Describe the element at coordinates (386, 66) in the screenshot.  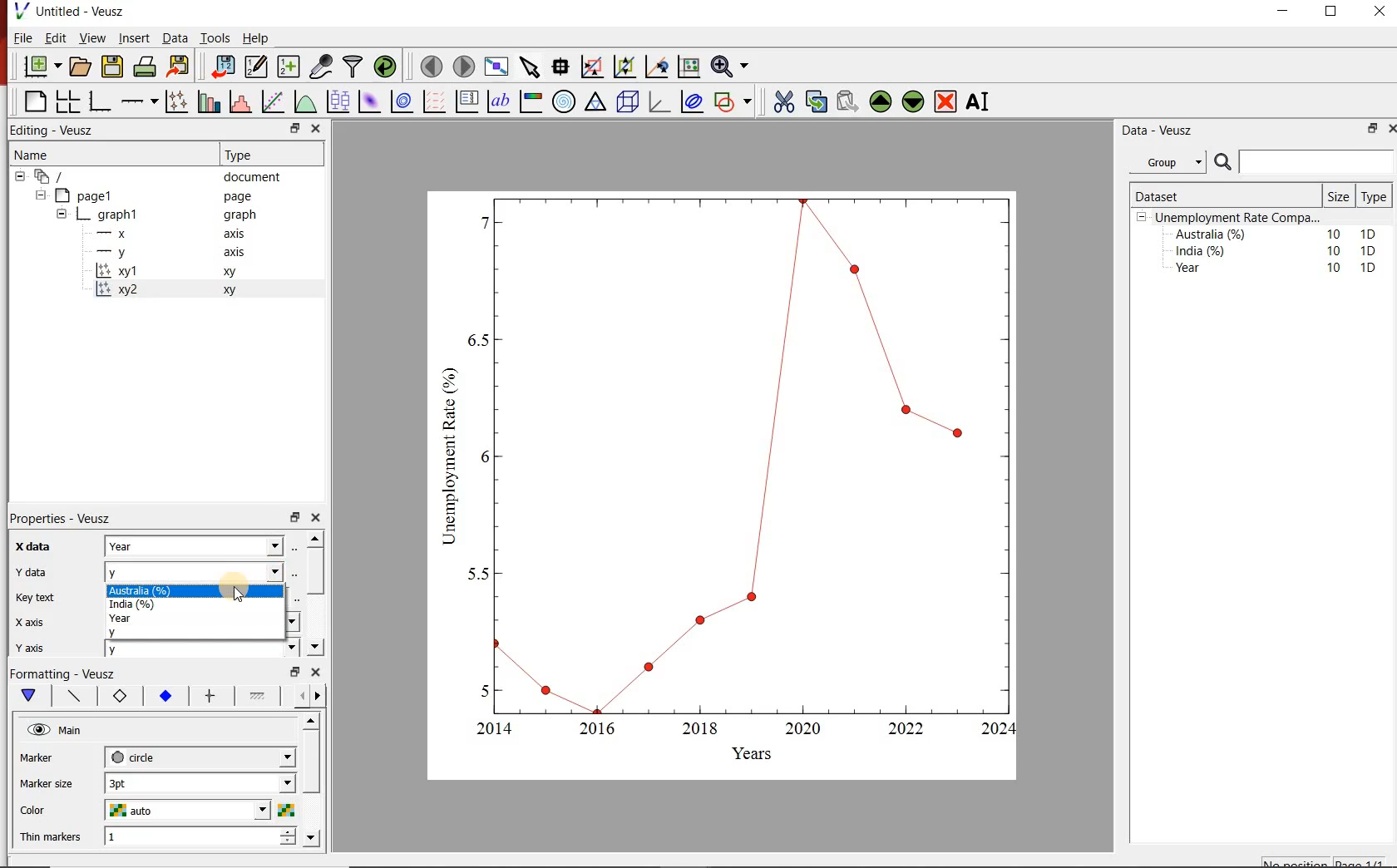
I see `reload datasets` at that location.